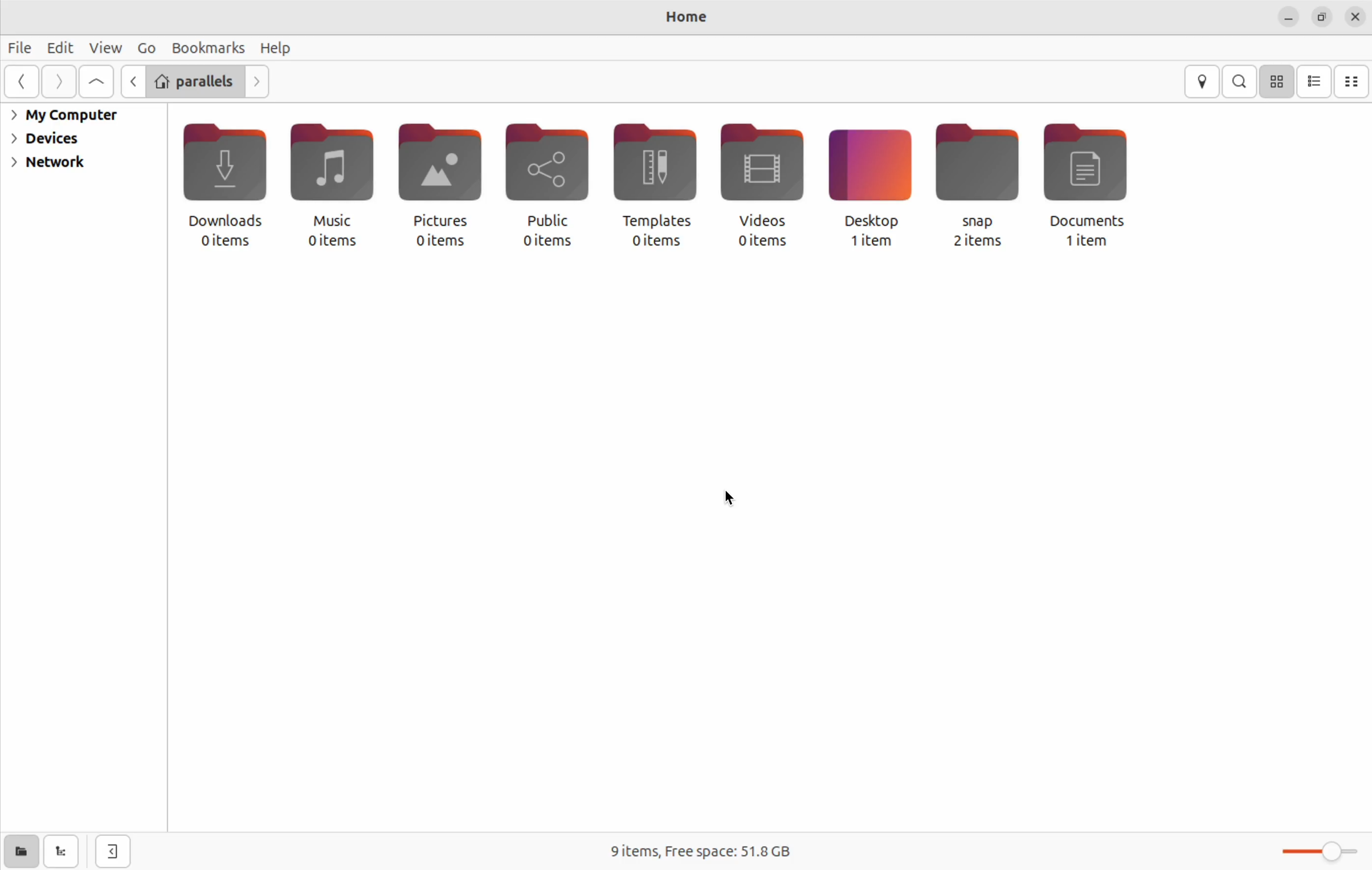 Image resolution: width=1372 pixels, height=870 pixels. I want to click on my computer, so click(68, 116).